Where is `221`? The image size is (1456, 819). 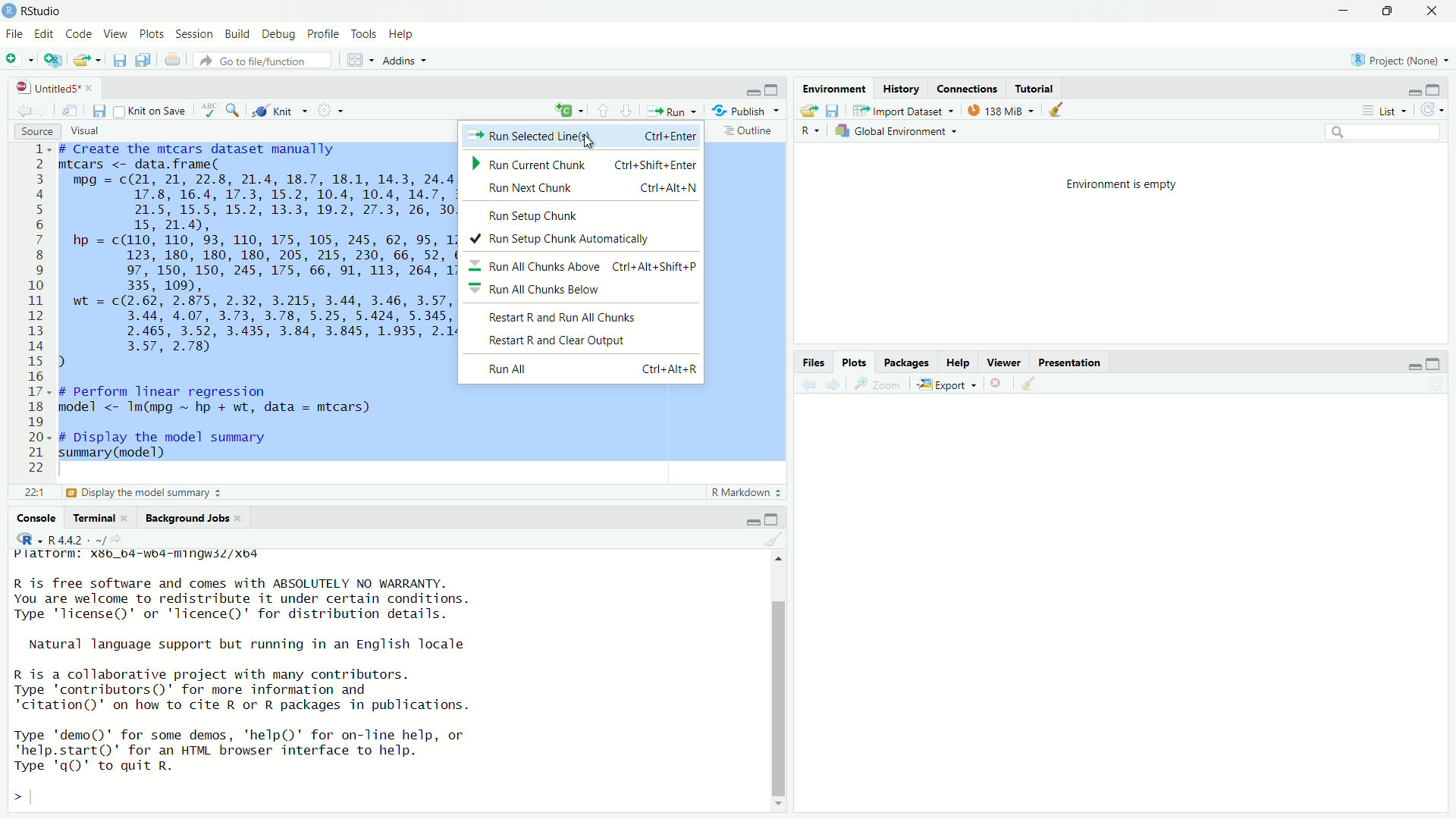 221 is located at coordinates (33, 494).